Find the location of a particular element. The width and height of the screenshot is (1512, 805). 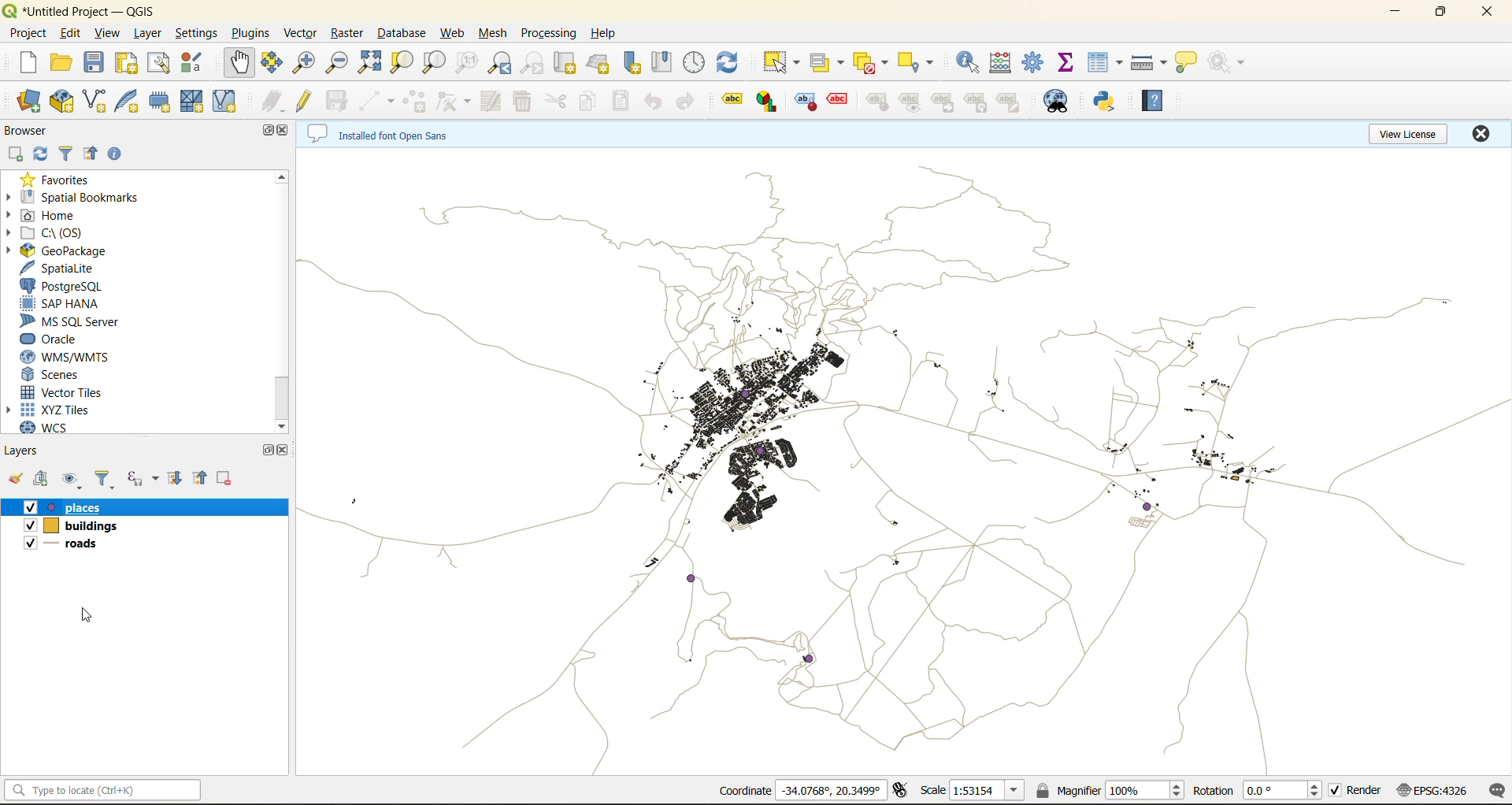

remove layer is located at coordinates (226, 478).